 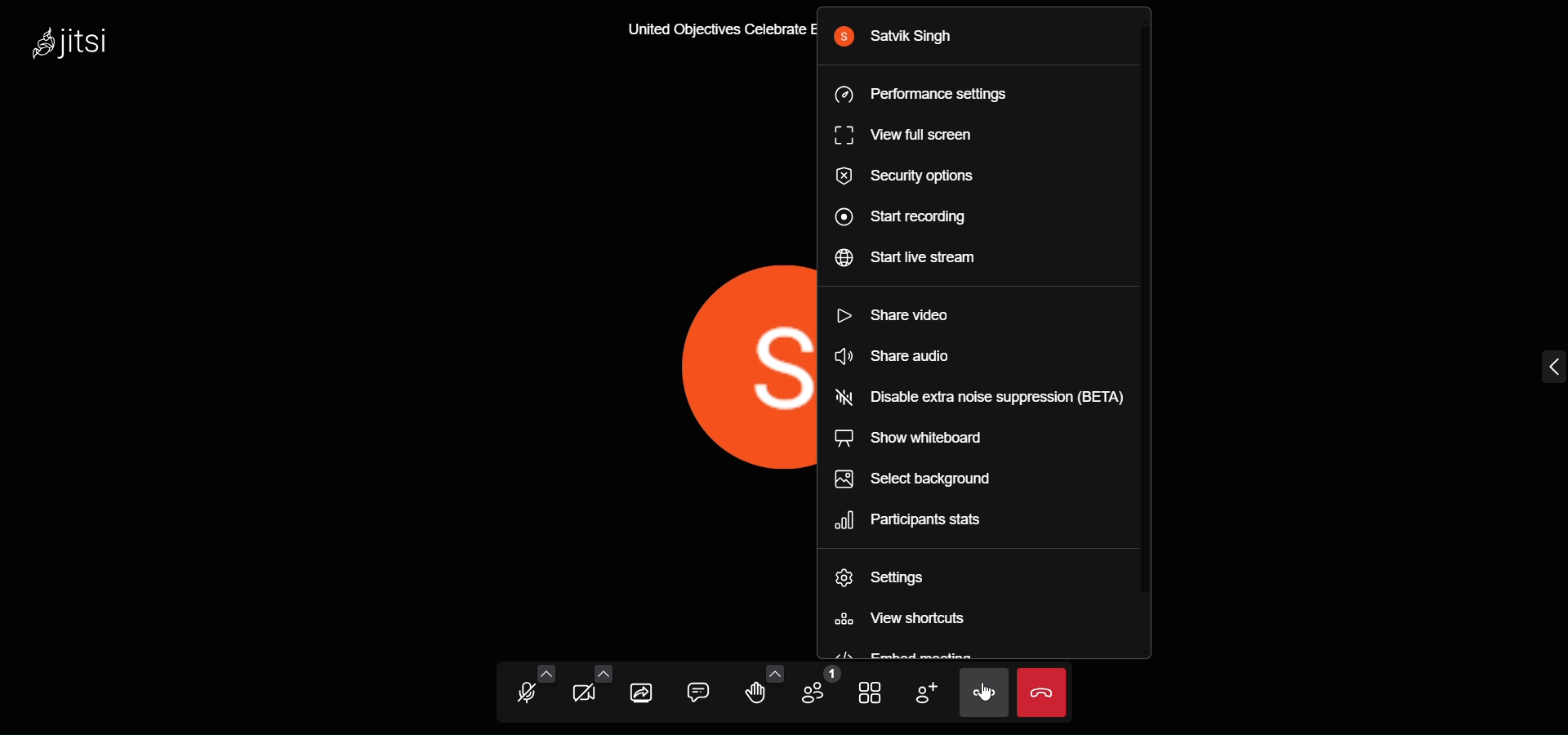 What do you see at coordinates (926, 256) in the screenshot?
I see `start live stream` at bounding box center [926, 256].